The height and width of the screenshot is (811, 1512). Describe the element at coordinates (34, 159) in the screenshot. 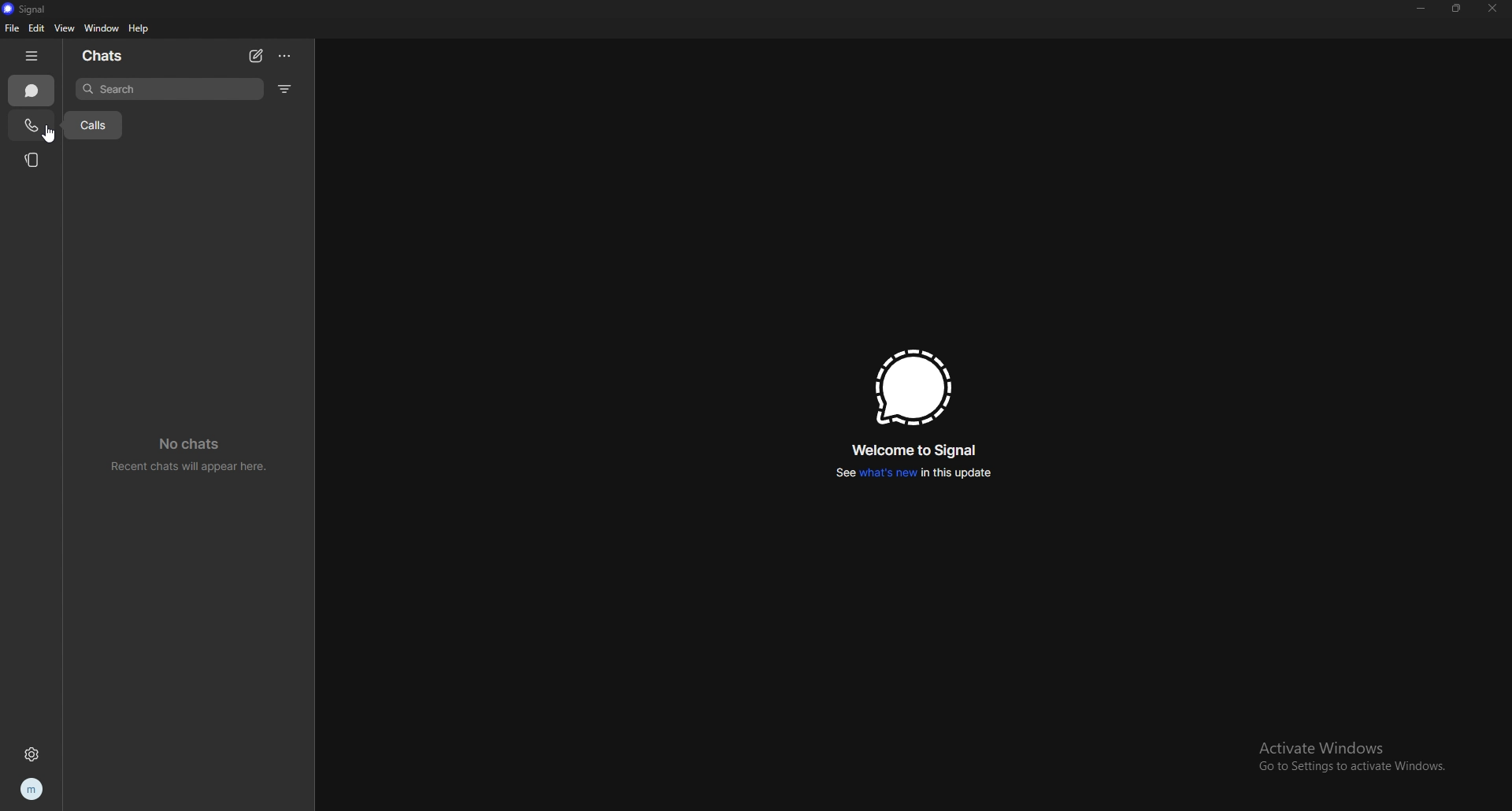

I see `stories` at that location.